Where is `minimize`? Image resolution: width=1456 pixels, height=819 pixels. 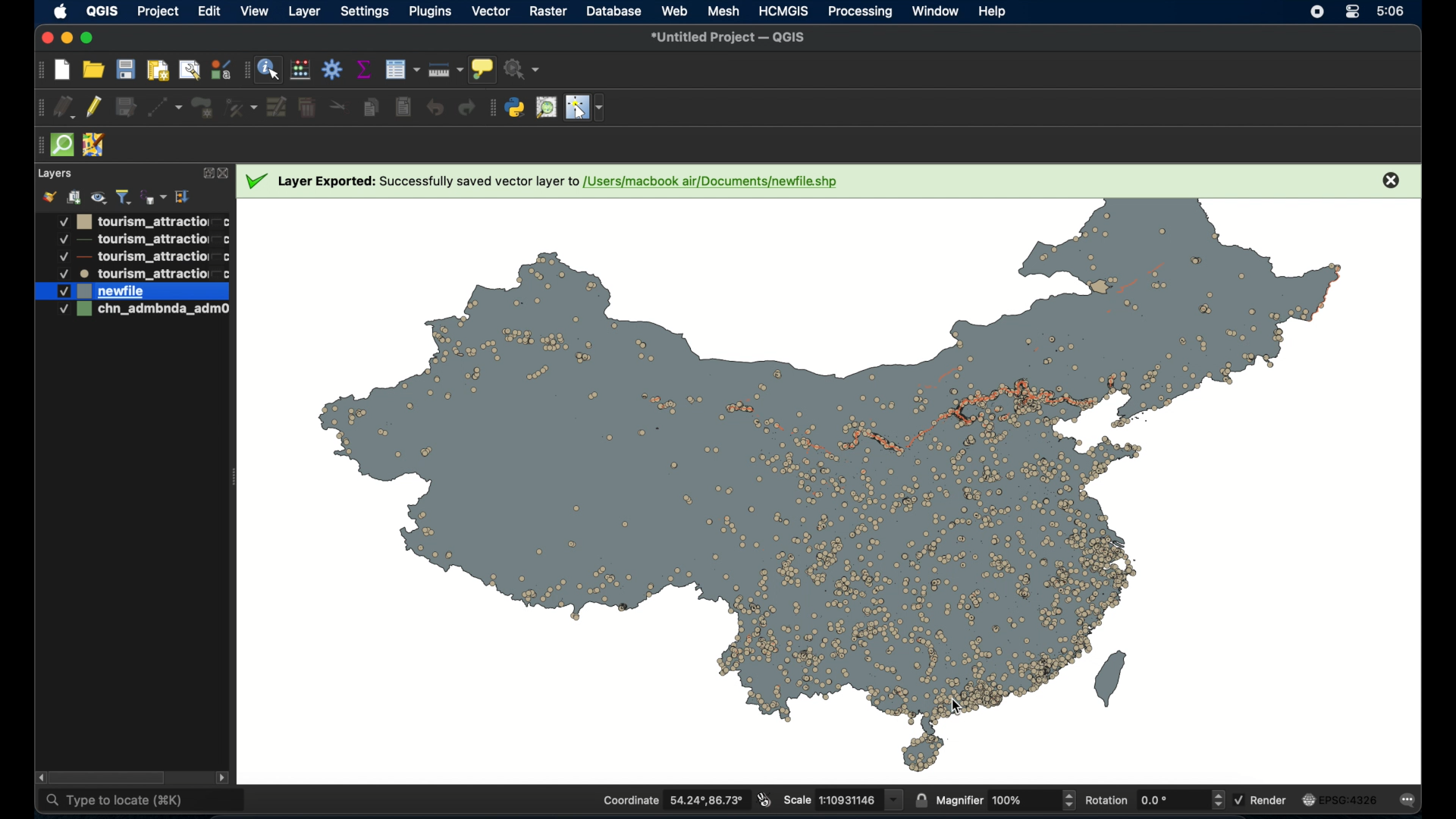 minimize is located at coordinates (67, 39).